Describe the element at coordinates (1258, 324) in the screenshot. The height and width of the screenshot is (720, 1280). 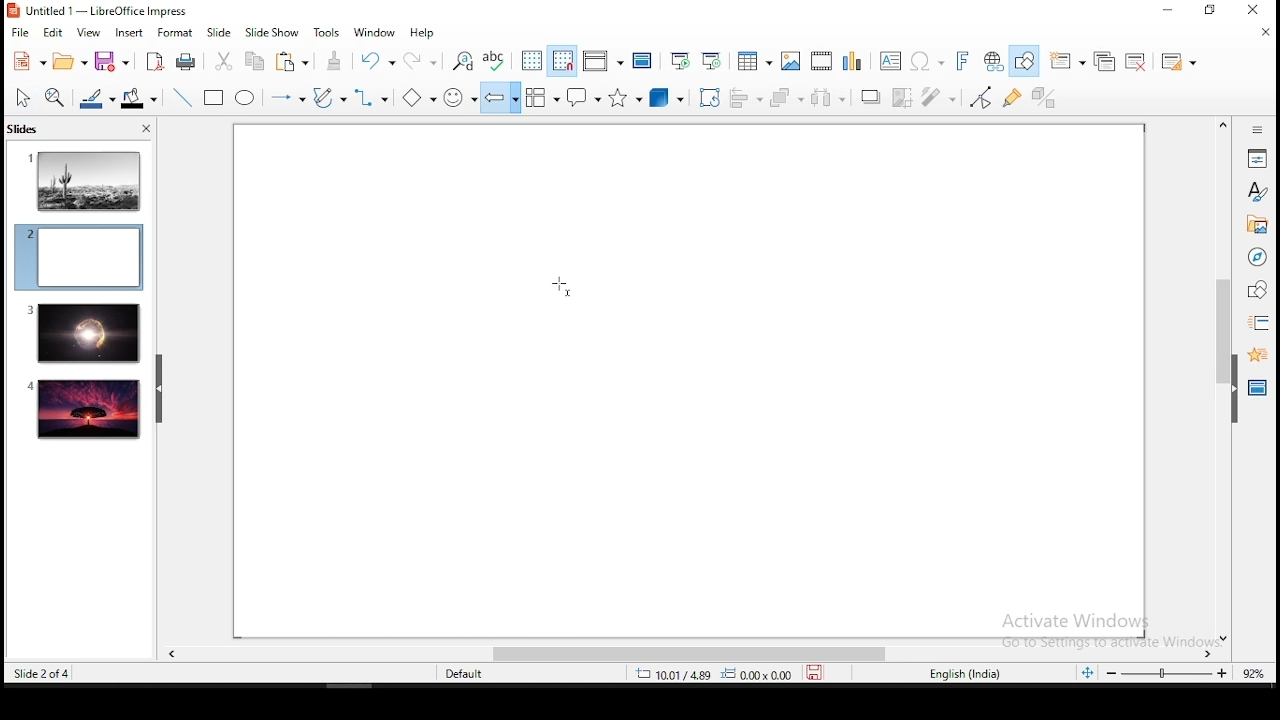
I see `slide transition` at that location.